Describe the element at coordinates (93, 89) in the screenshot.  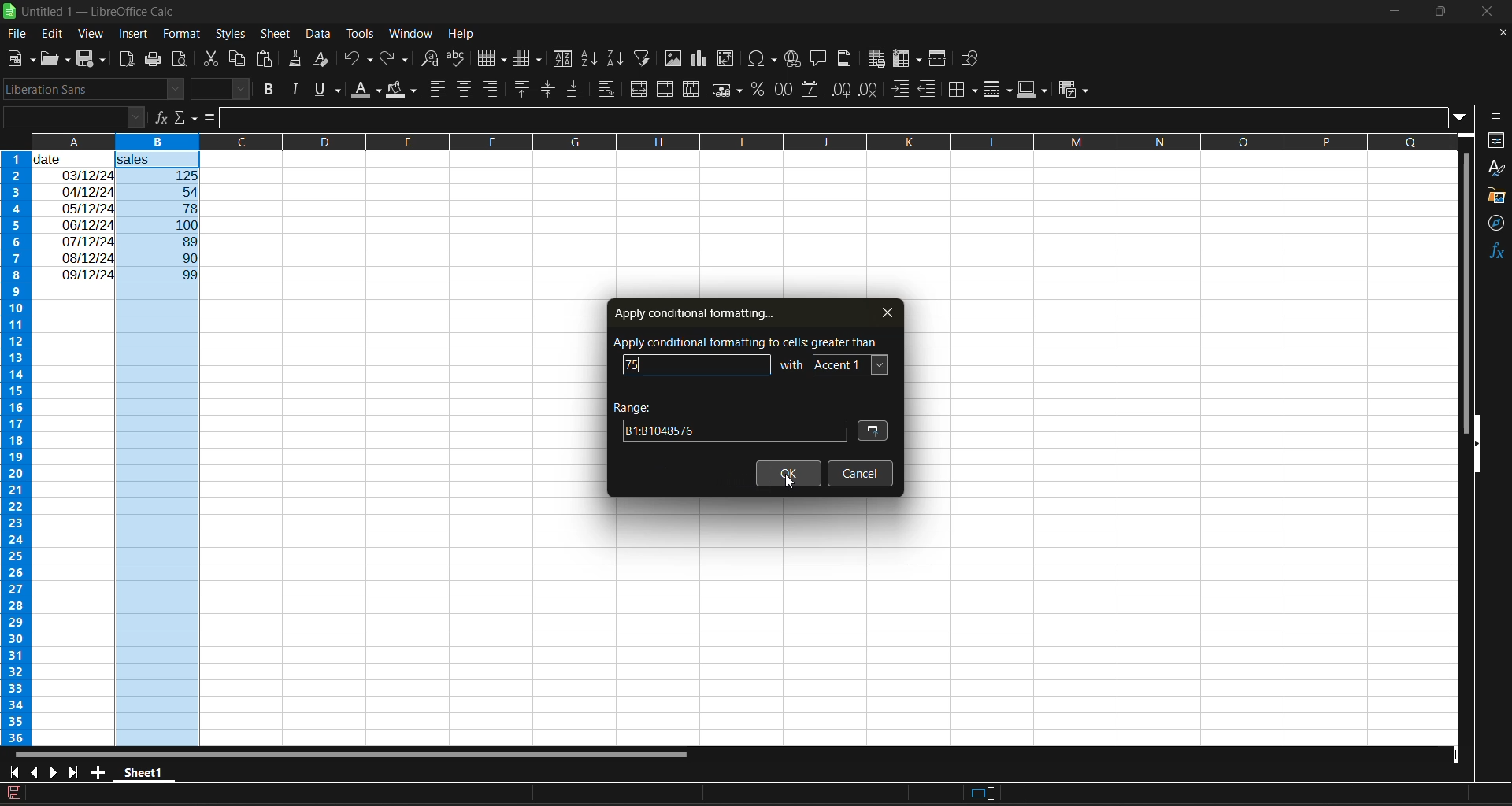
I see `font name` at that location.